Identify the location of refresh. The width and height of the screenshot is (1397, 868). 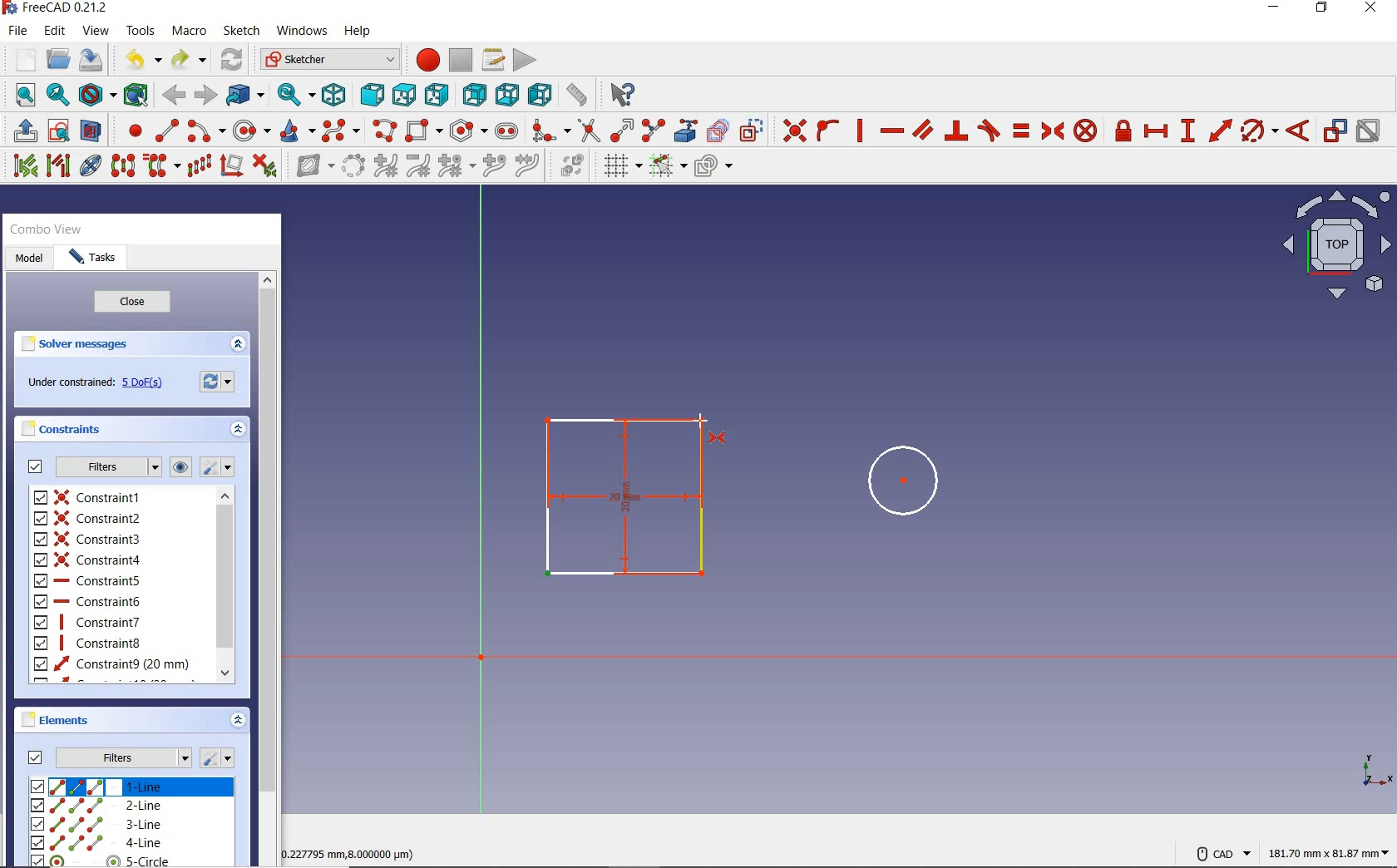
(233, 60).